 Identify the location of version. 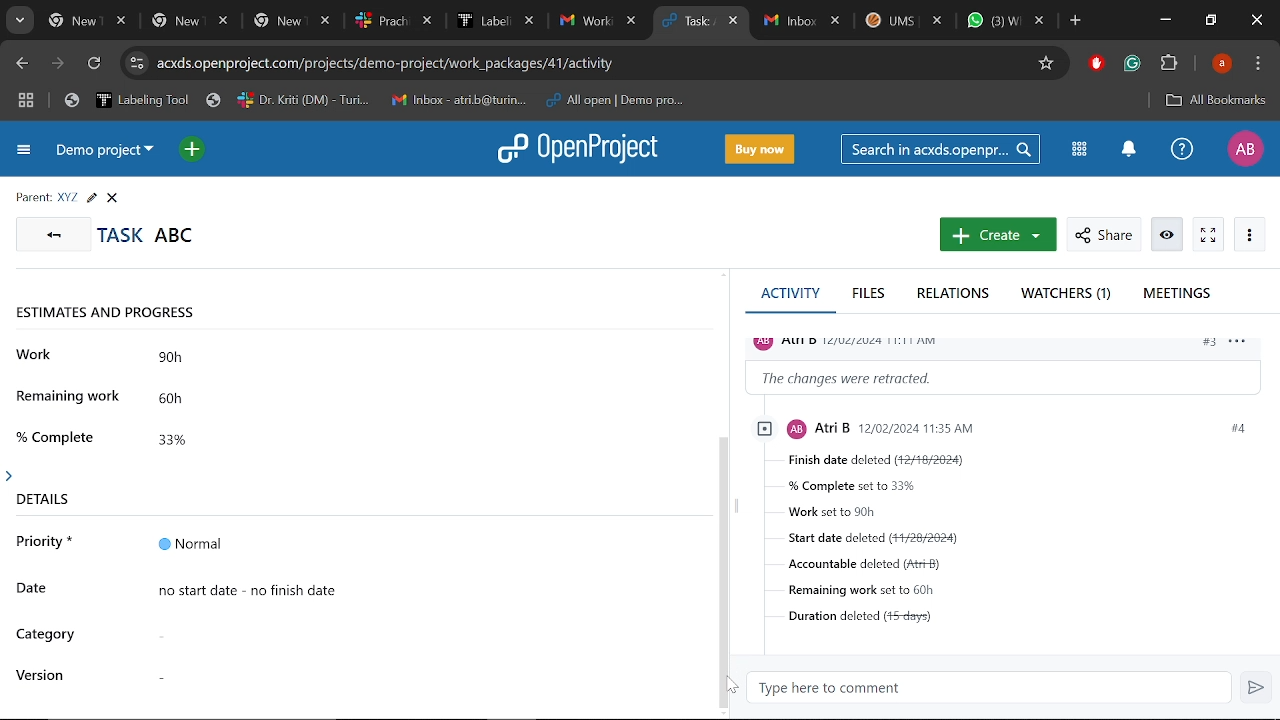
(43, 675).